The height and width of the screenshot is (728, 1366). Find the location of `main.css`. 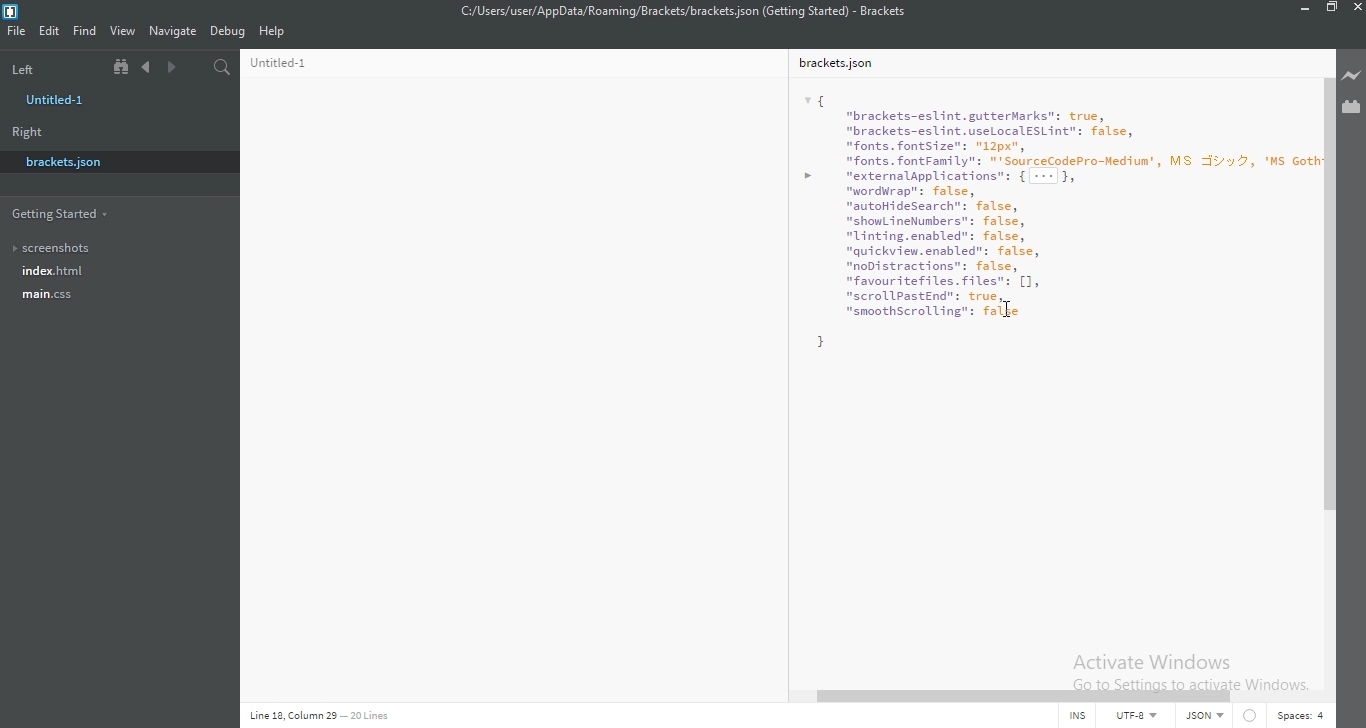

main.css is located at coordinates (116, 298).